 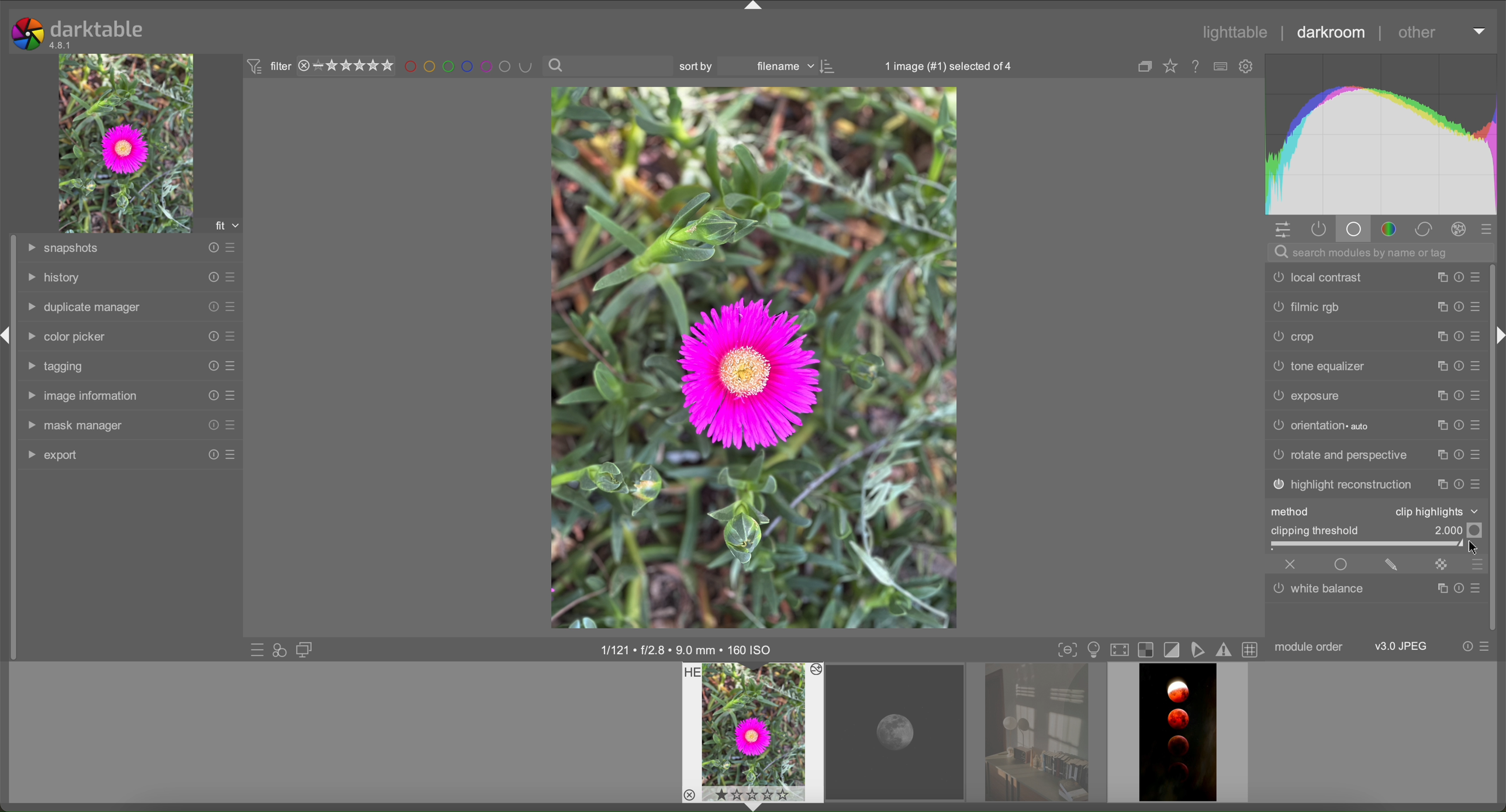 I want to click on reset presets, so click(x=1458, y=484).